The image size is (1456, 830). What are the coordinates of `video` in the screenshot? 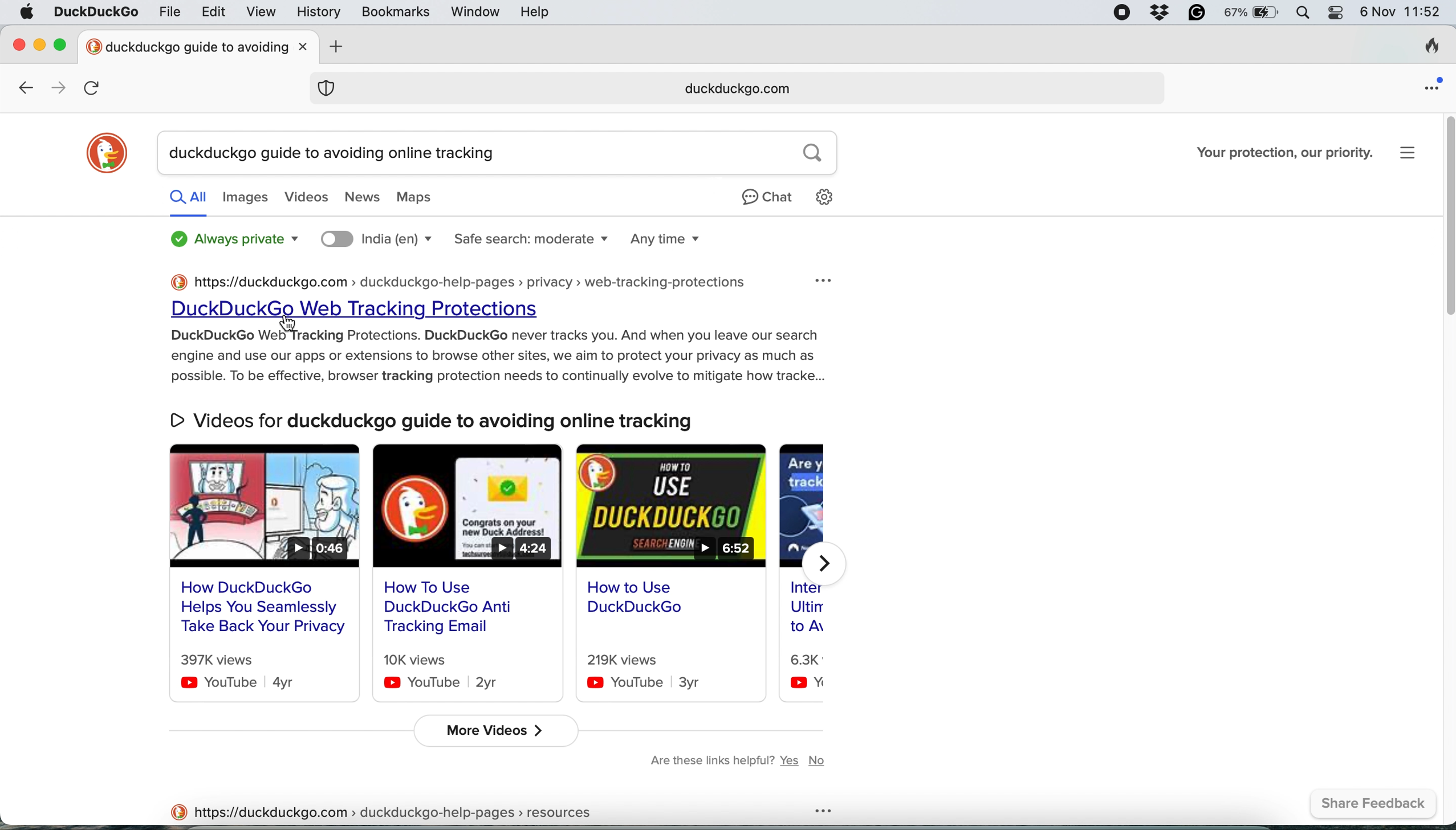 It's located at (470, 504).